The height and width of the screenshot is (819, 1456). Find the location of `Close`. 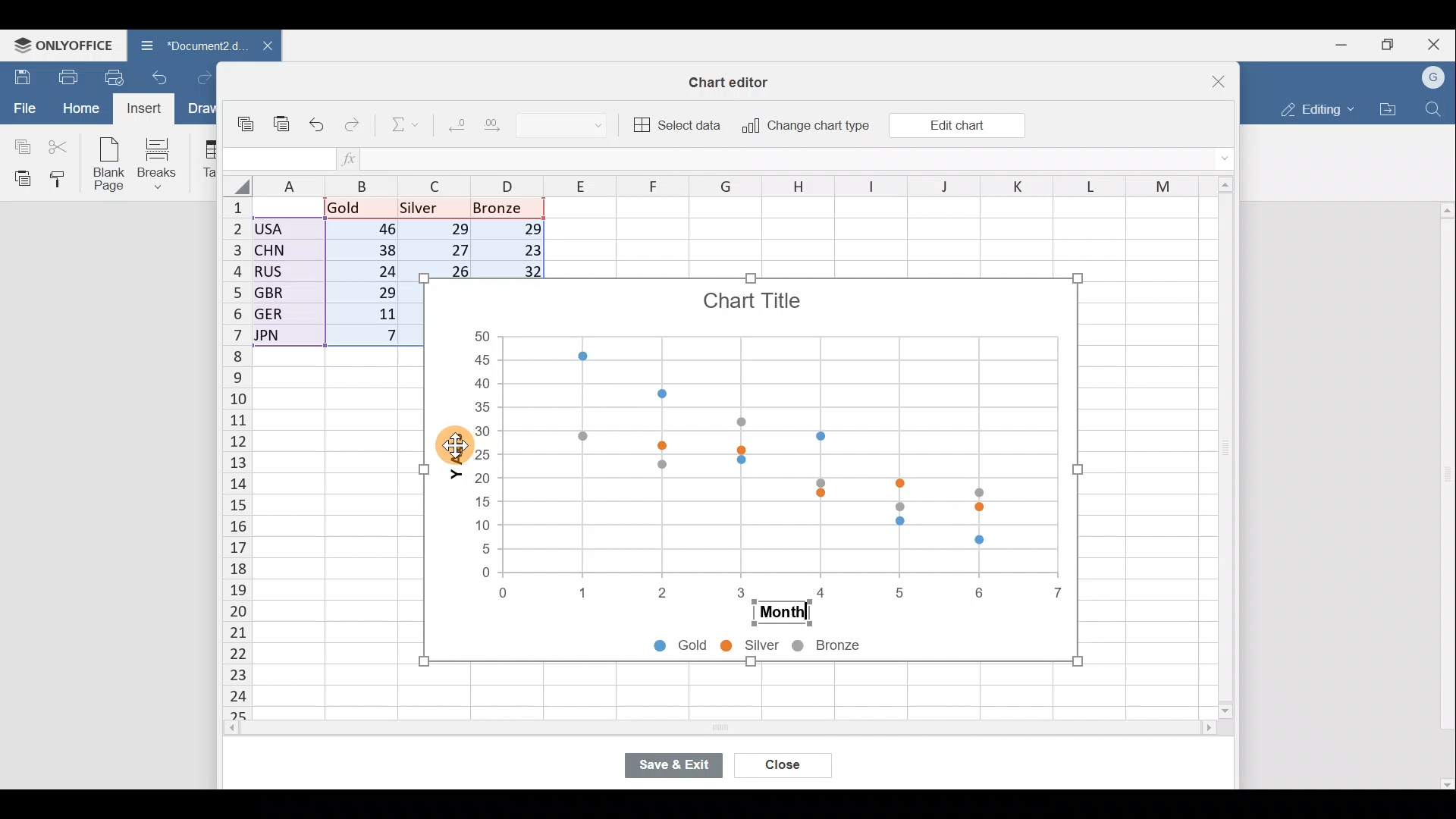

Close is located at coordinates (783, 763).